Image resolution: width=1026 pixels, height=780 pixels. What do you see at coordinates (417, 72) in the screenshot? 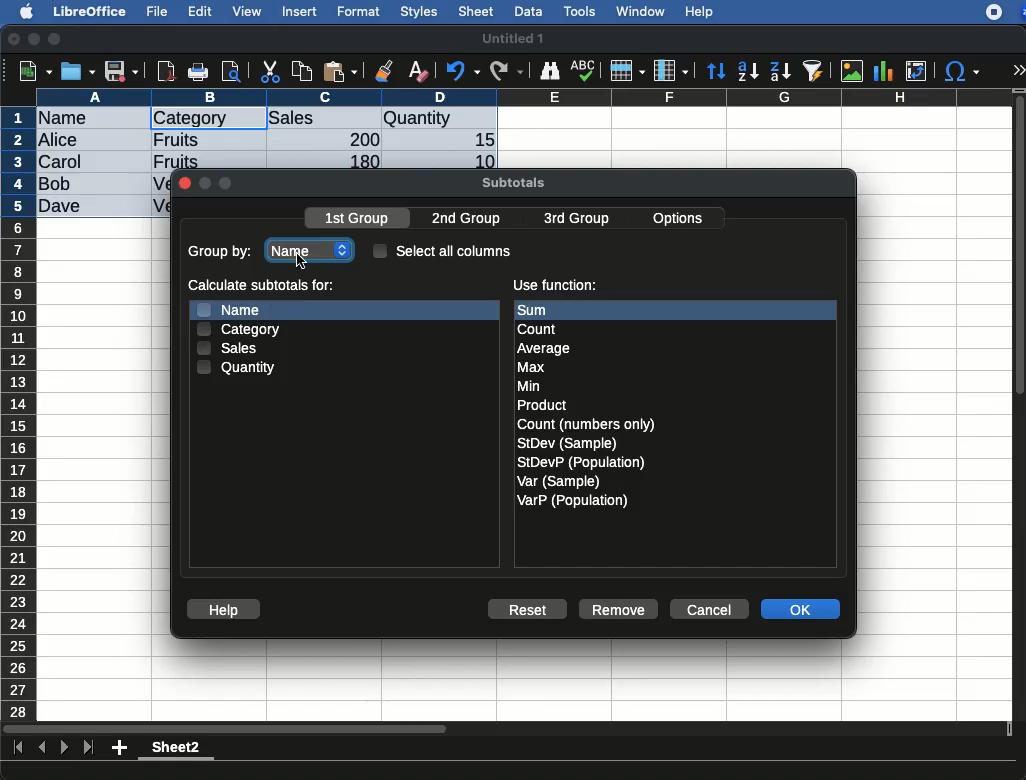
I see `clear formatting` at bounding box center [417, 72].